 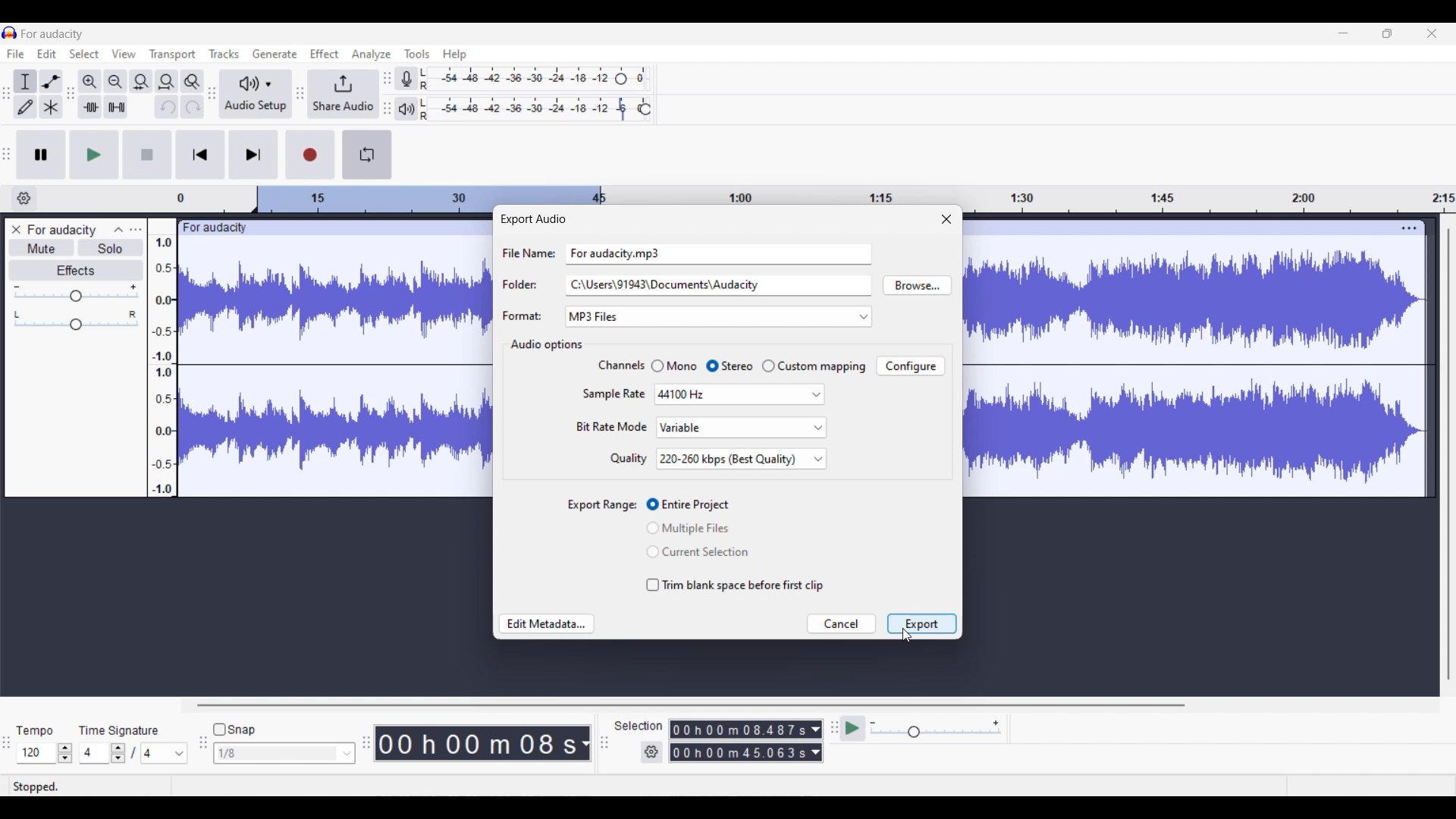 I want to click on Show in smaller tab, so click(x=1387, y=33).